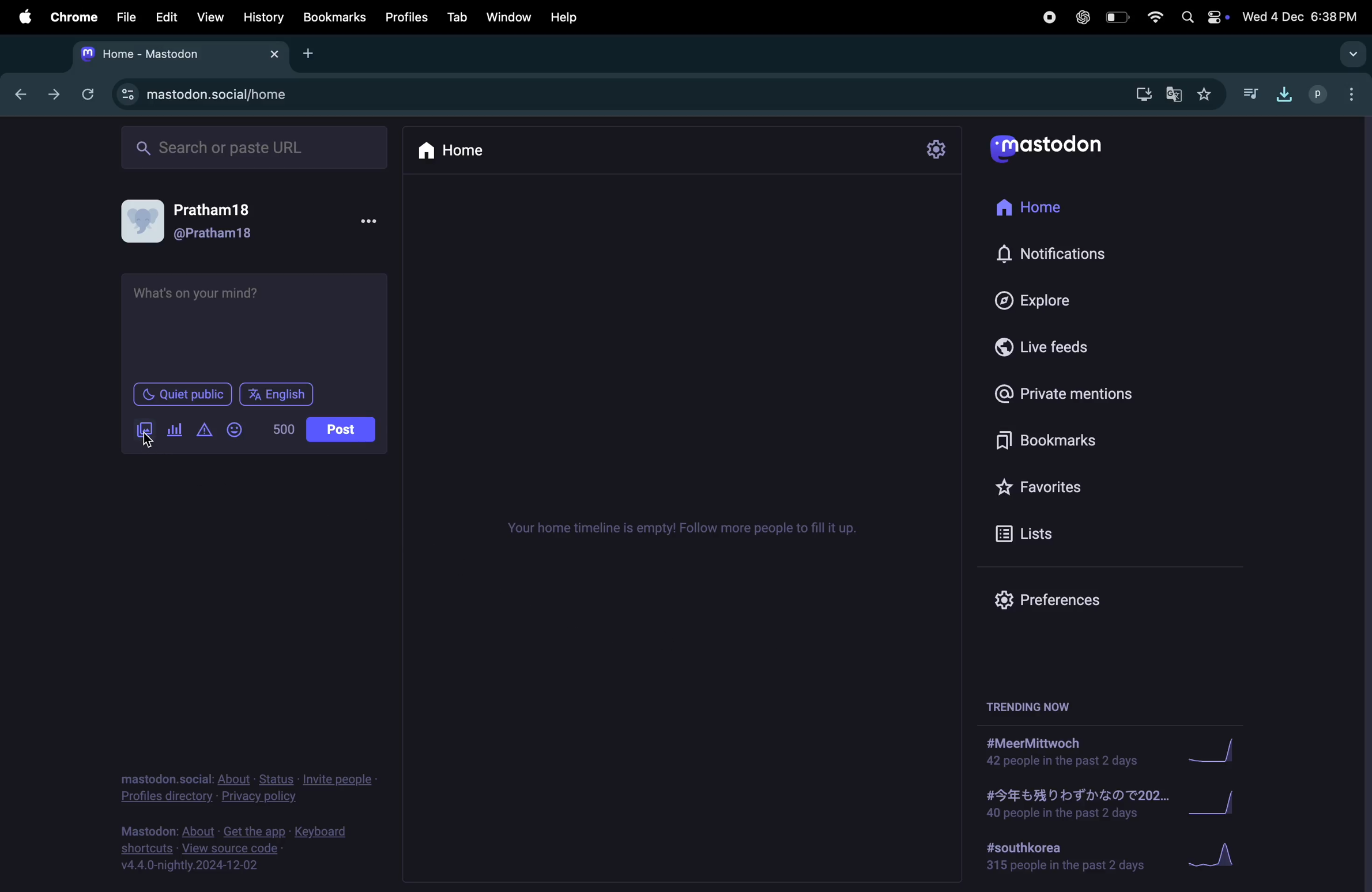 The image size is (1372, 892). Describe the element at coordinates (88, 94) in the screenshot. I see `refresh` at that location.